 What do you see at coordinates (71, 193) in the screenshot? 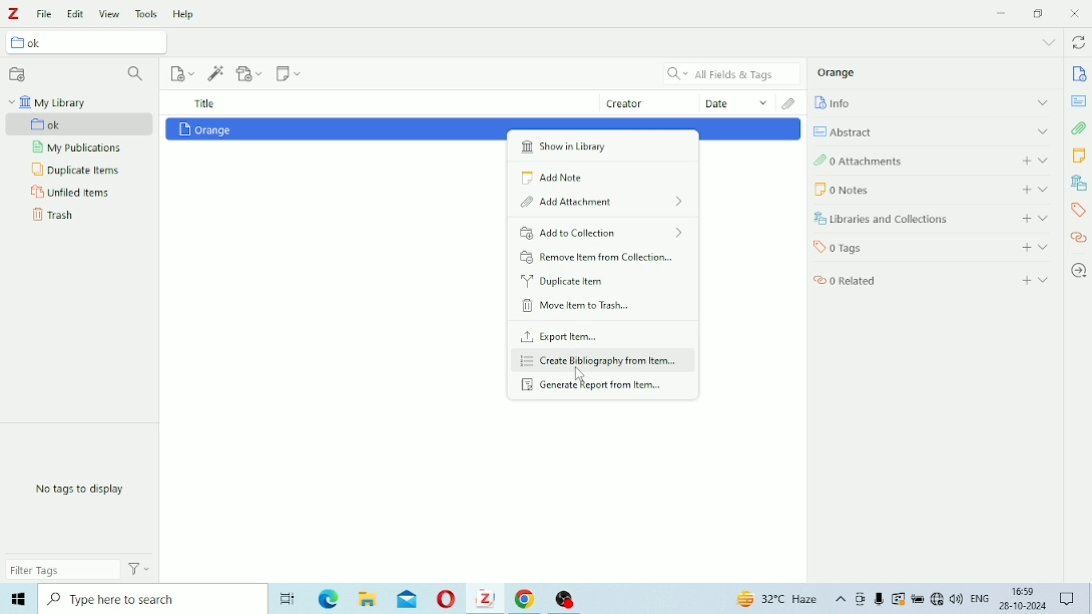
I see `Unfiled Items` at bounding box center [71, 193].